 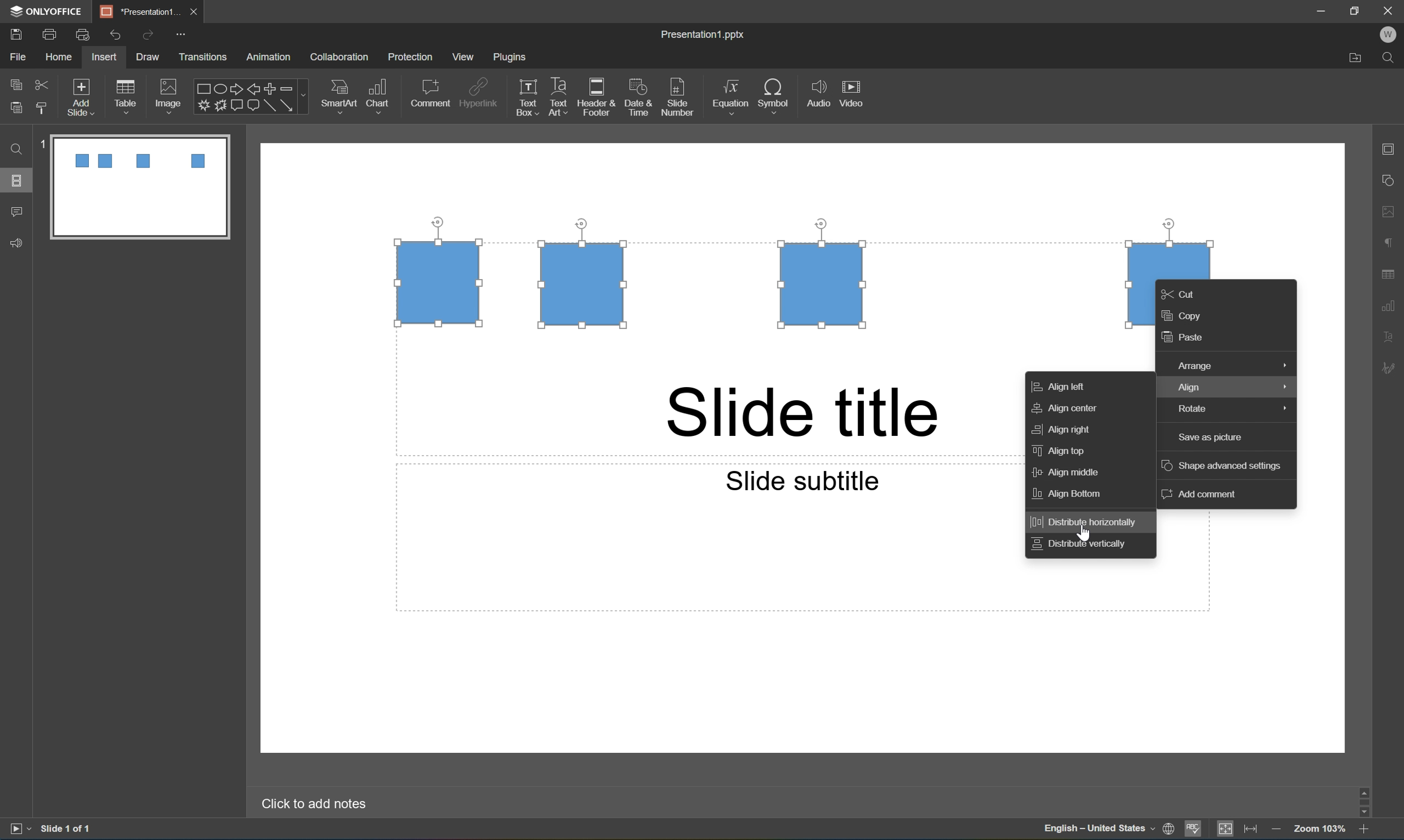 I want to click on distribute vertically, so click(x=1083, y=546).